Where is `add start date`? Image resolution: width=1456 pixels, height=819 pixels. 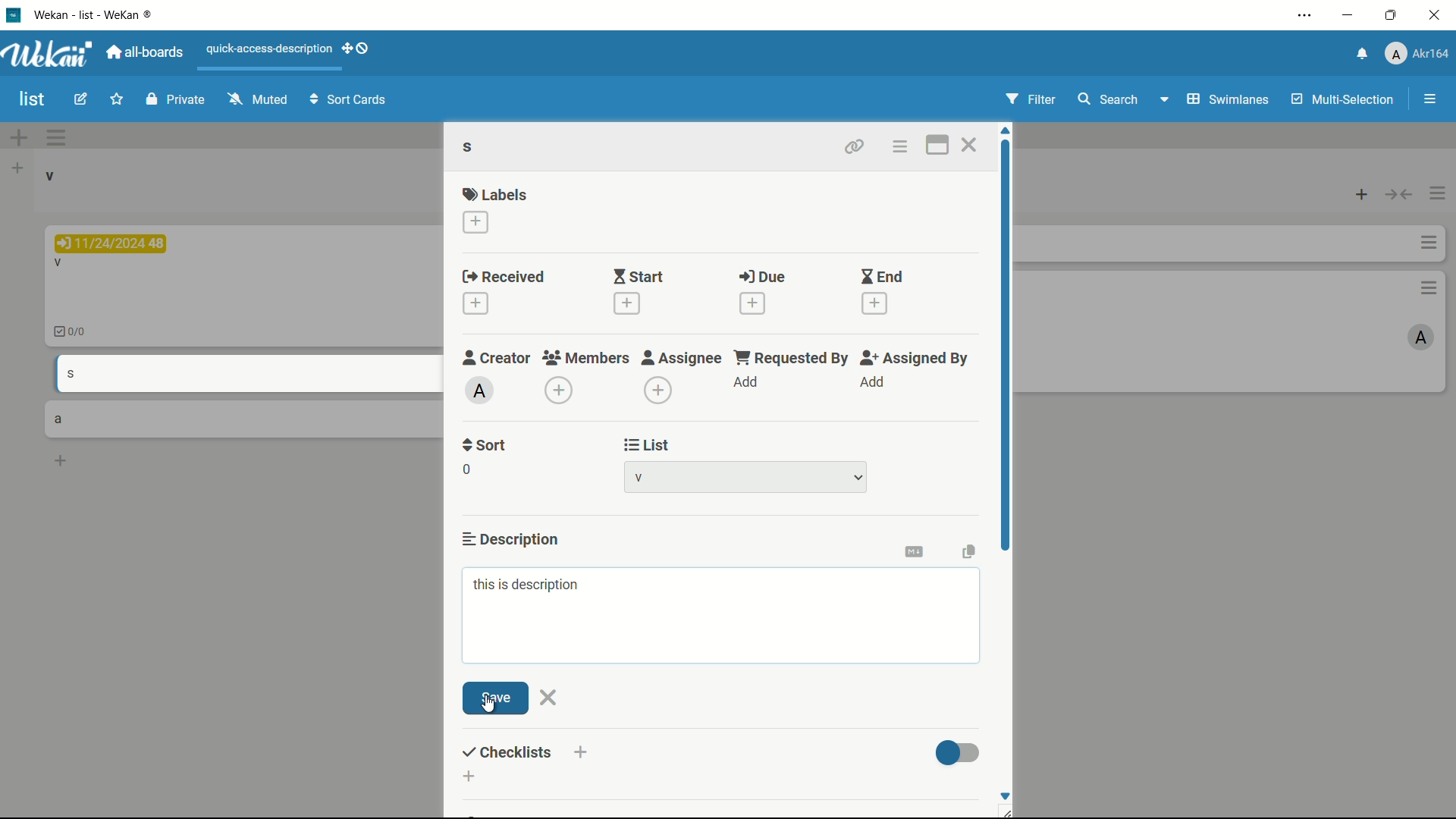
add start date is located at coordinates (626, 304).